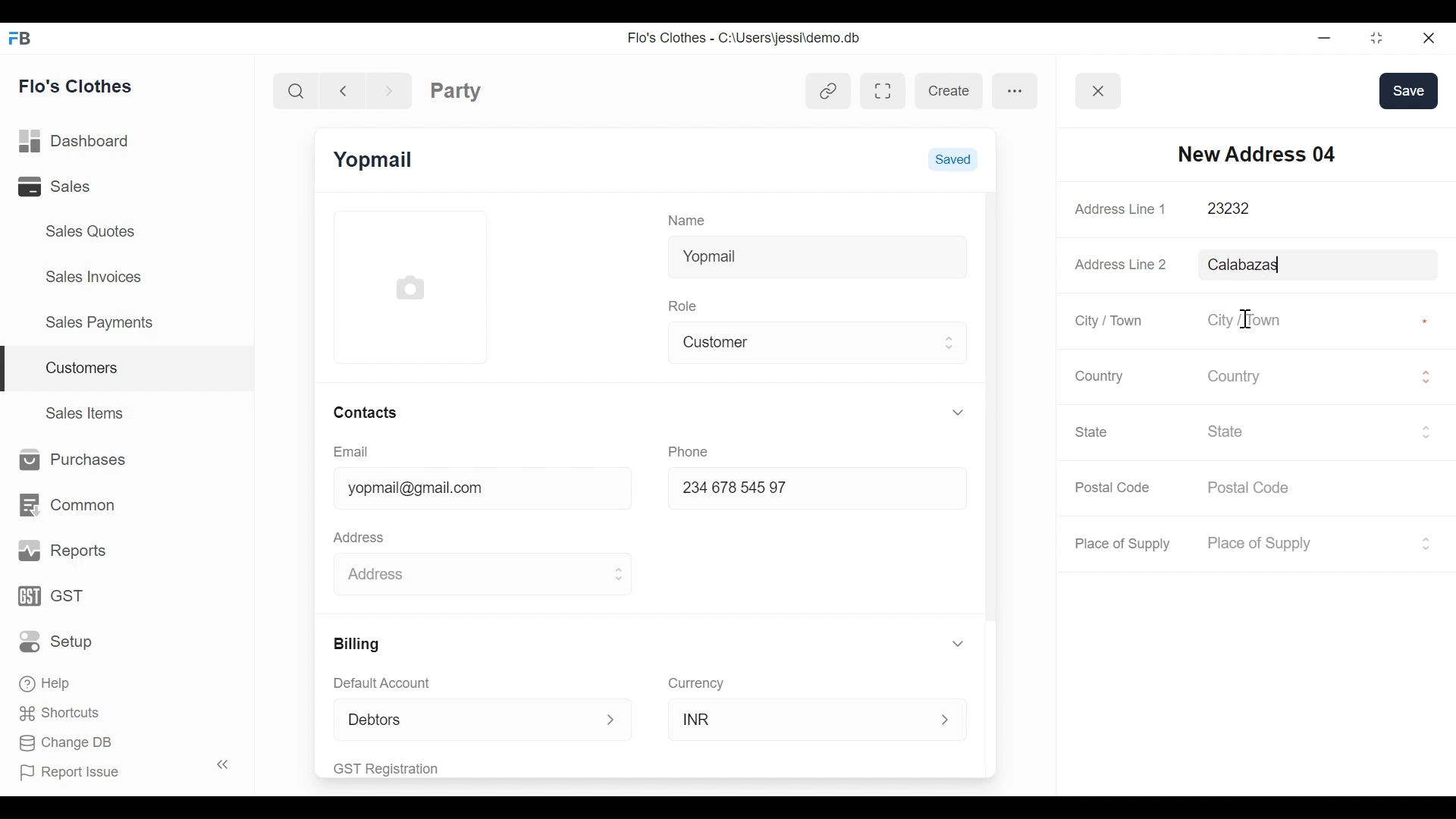 The image size is (1456, 819). I want to click on Email, so click(352, 452).